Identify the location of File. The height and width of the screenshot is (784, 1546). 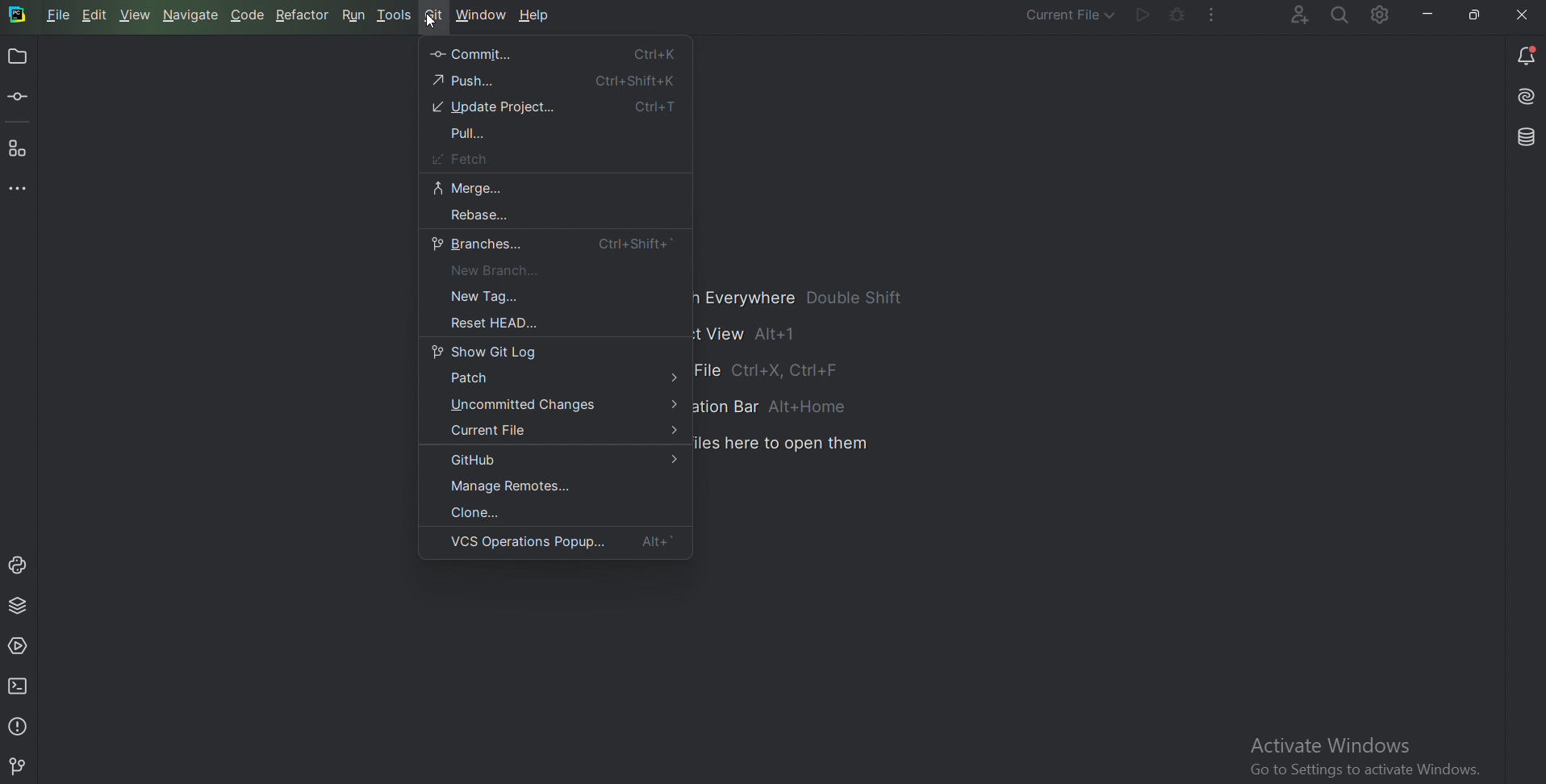
(61, 17).